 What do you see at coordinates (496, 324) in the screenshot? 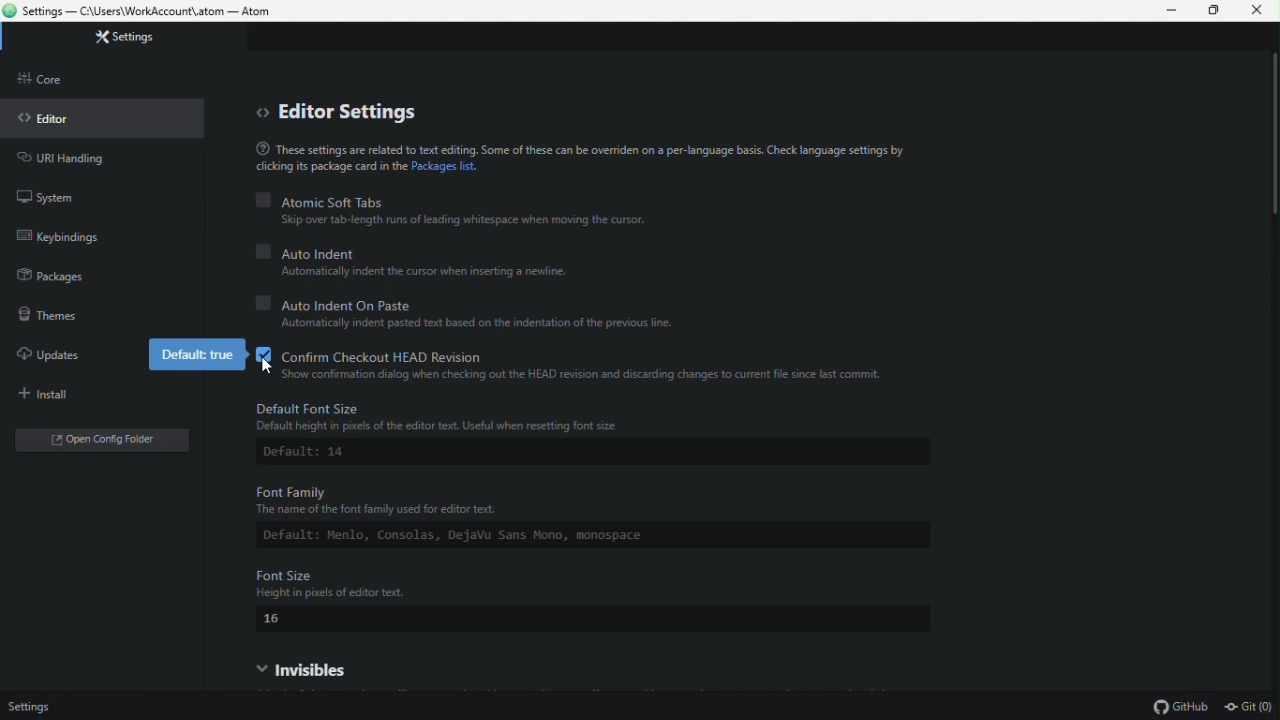
I see `© Automatically indent pasted text based on the indentation of the previous line.` at bounding box center [496, 324].